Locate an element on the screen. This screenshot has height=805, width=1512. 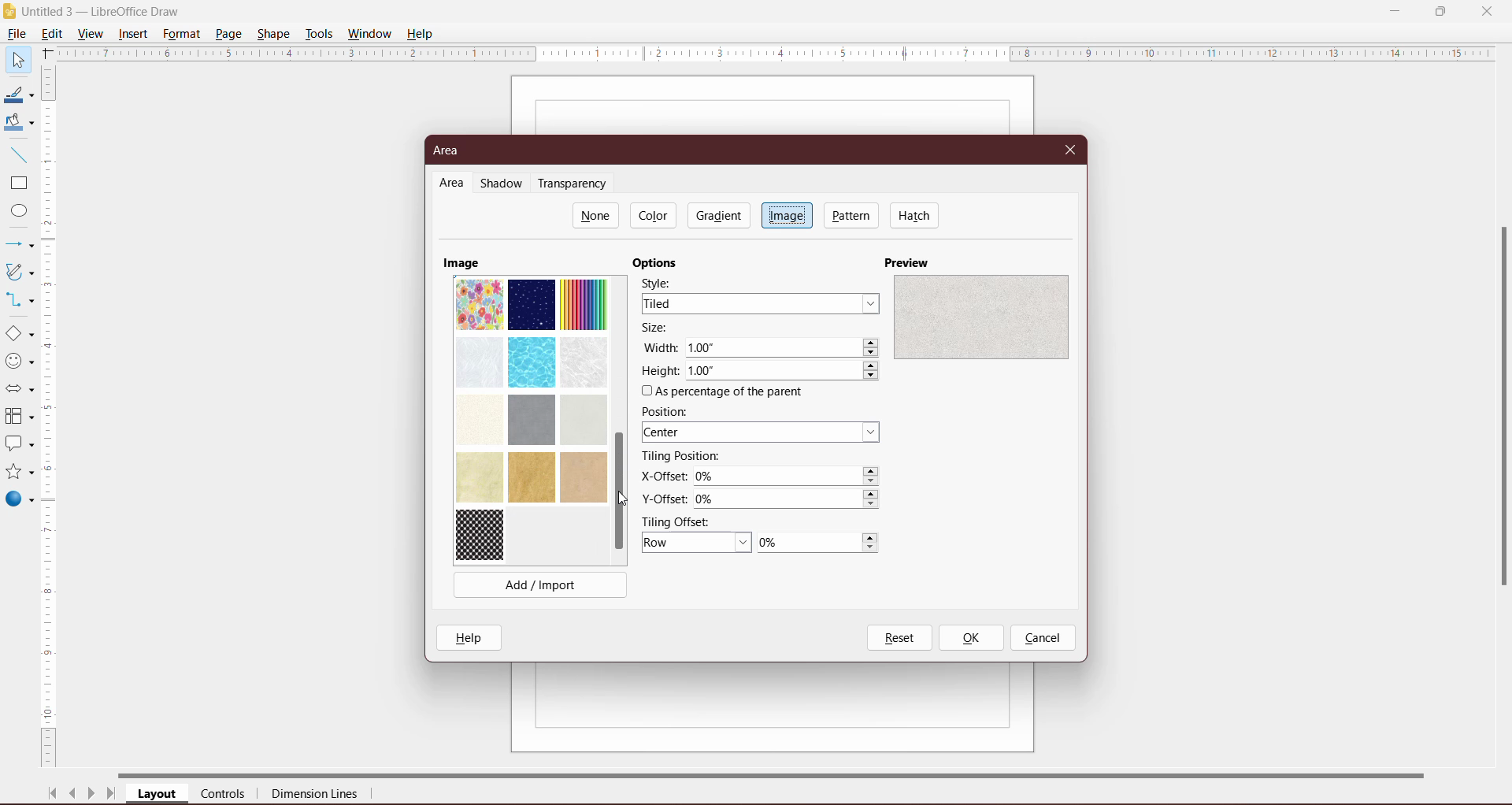
Lines and Arrows is located at coordinates (18, 246).